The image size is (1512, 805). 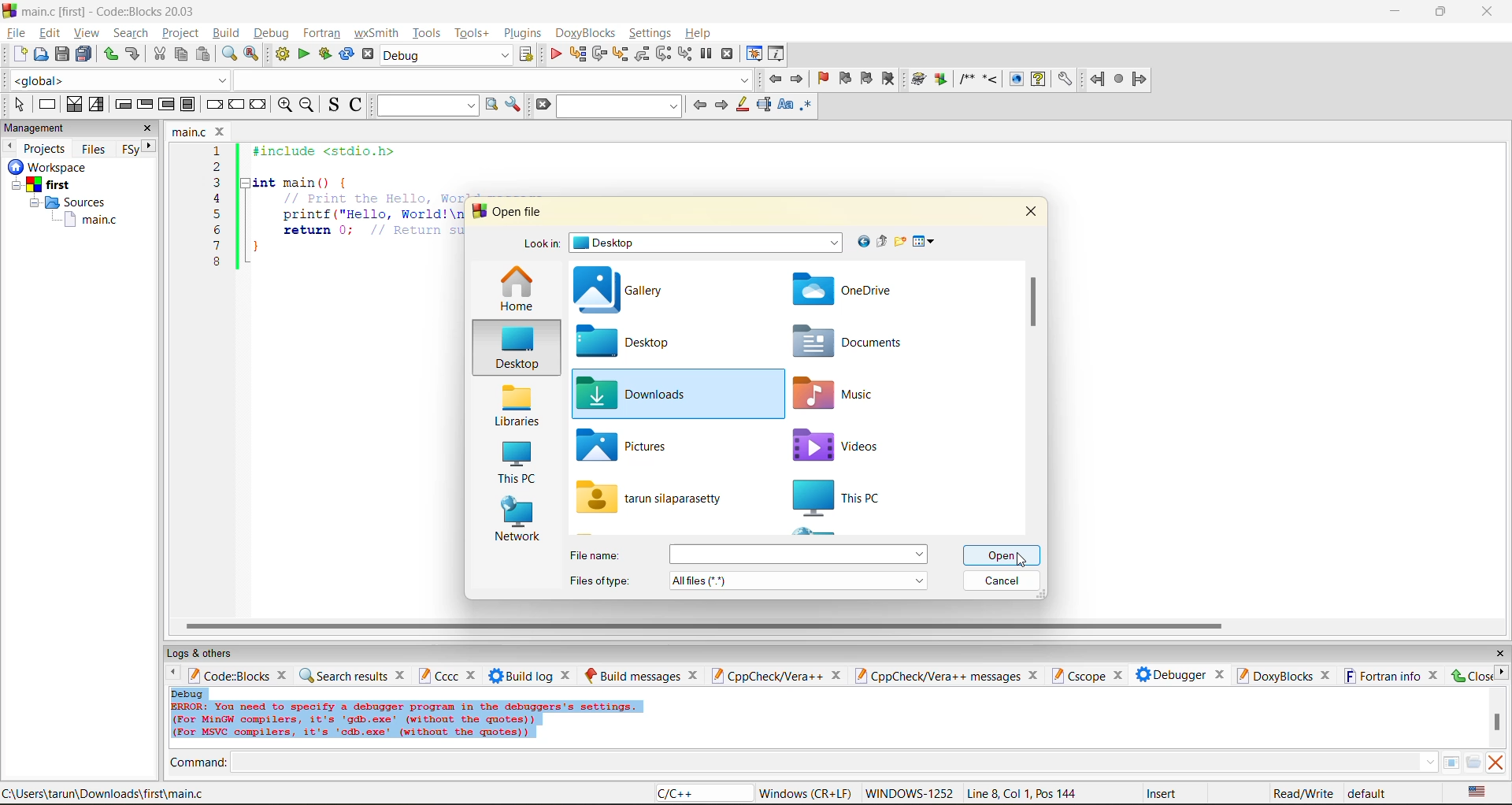 What do you see at coordinates (576, 54) in the screenshot?
I see `run to cursor` at bounding box center [576, 54].